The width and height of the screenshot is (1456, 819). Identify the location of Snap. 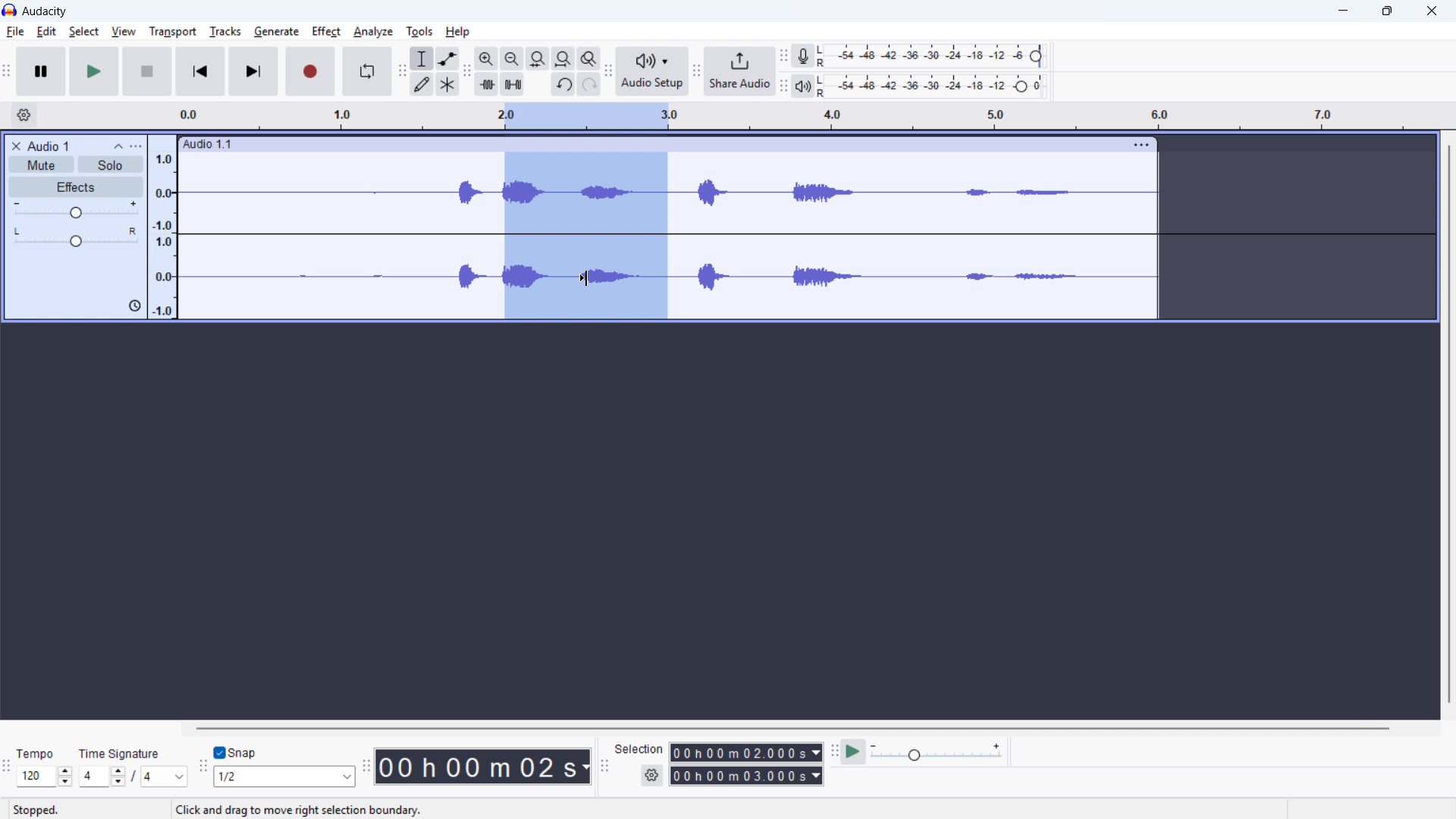
(238, 752).